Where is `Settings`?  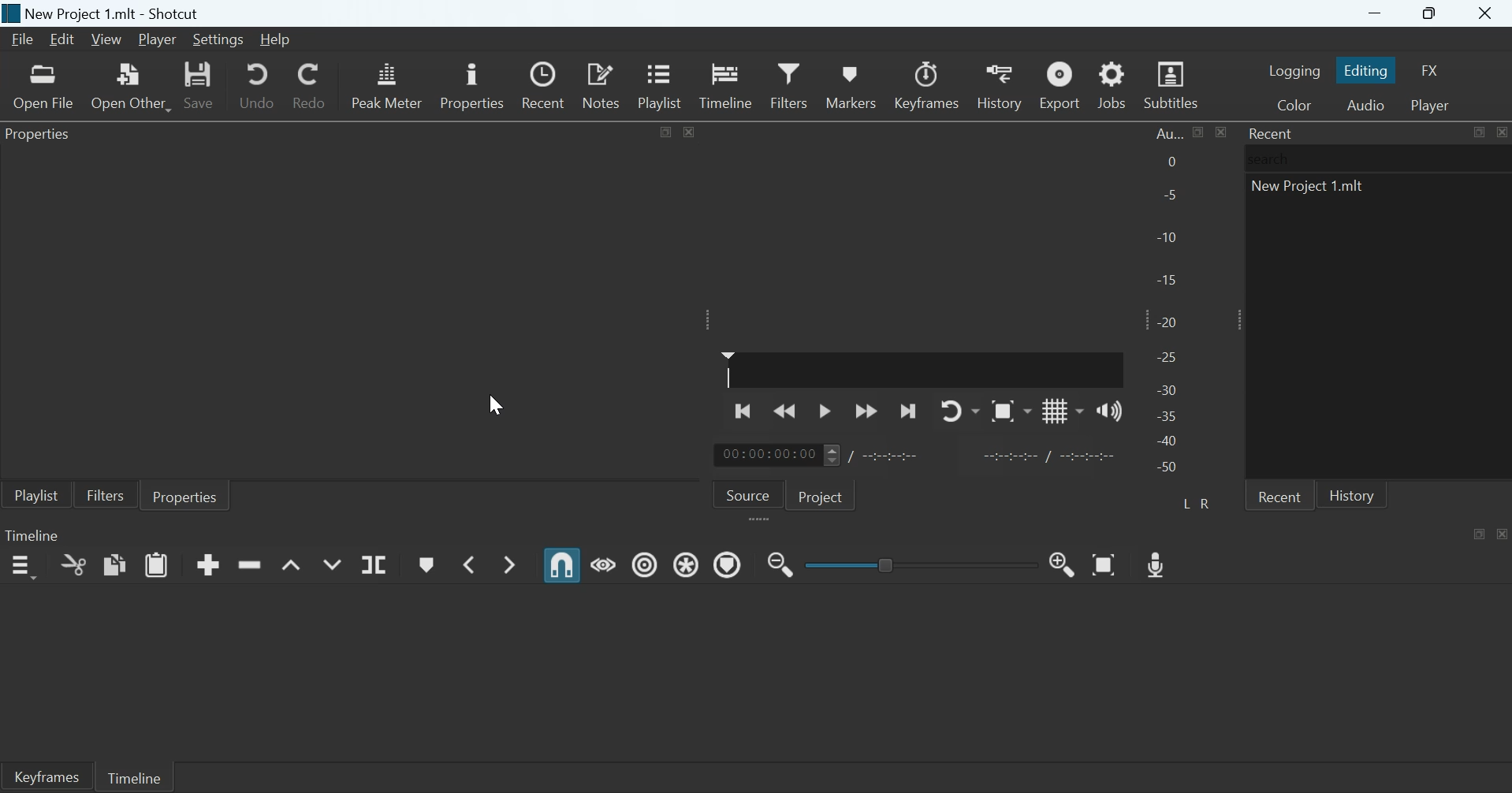 Settings is located at coordinates (218, 40).